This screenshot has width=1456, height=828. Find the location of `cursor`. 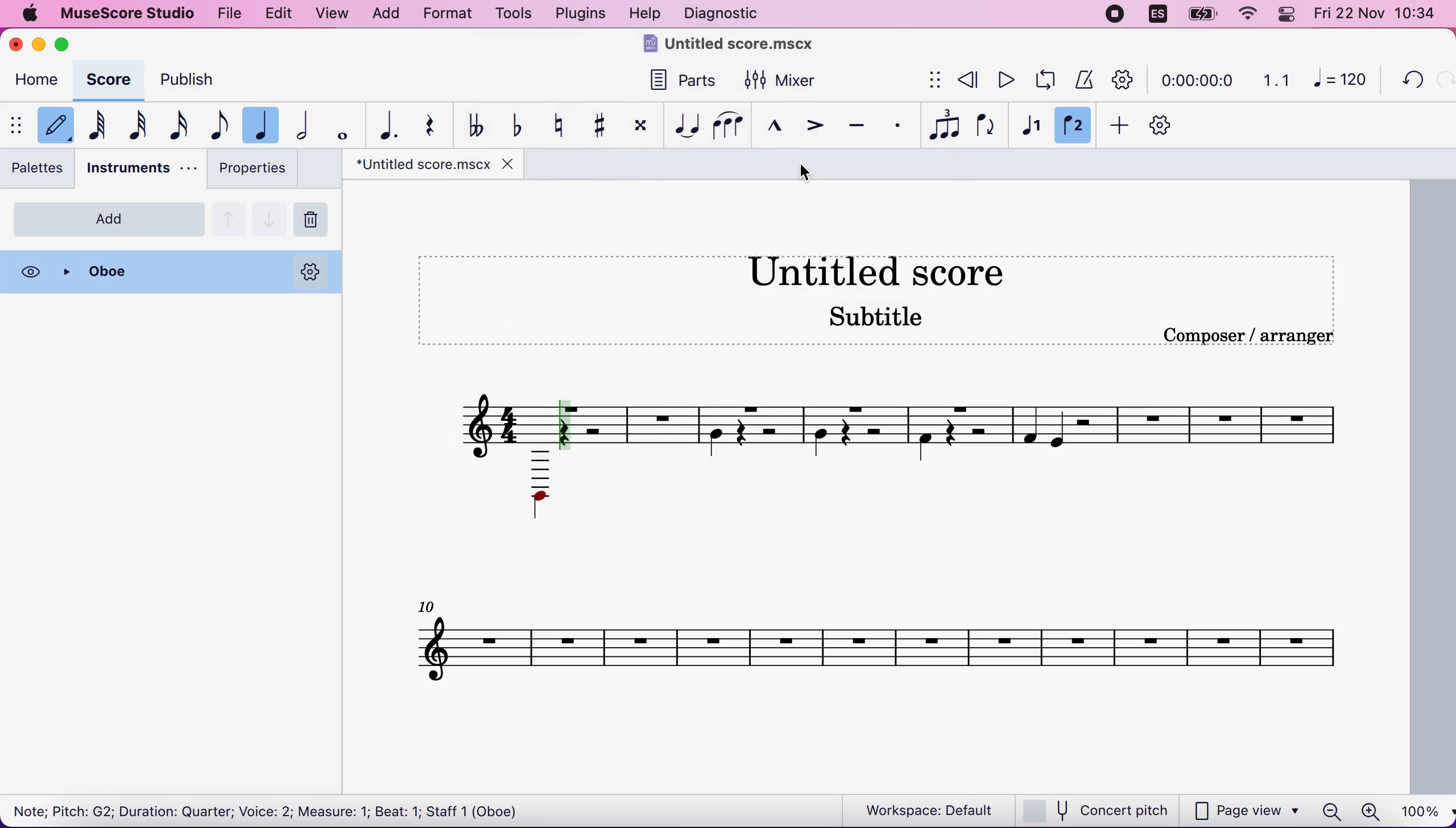

cursor is located at coordinates (804, 173).